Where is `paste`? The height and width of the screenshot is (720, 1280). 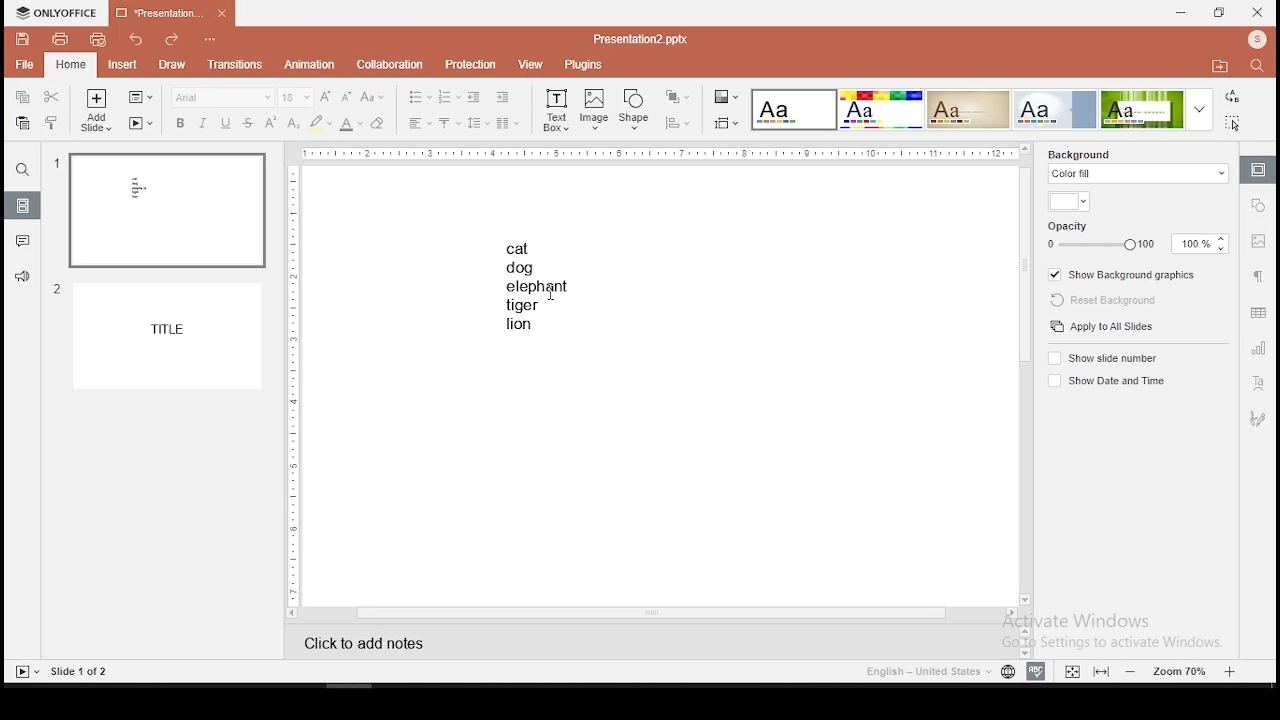
paste is located at coordinates (22, 123).